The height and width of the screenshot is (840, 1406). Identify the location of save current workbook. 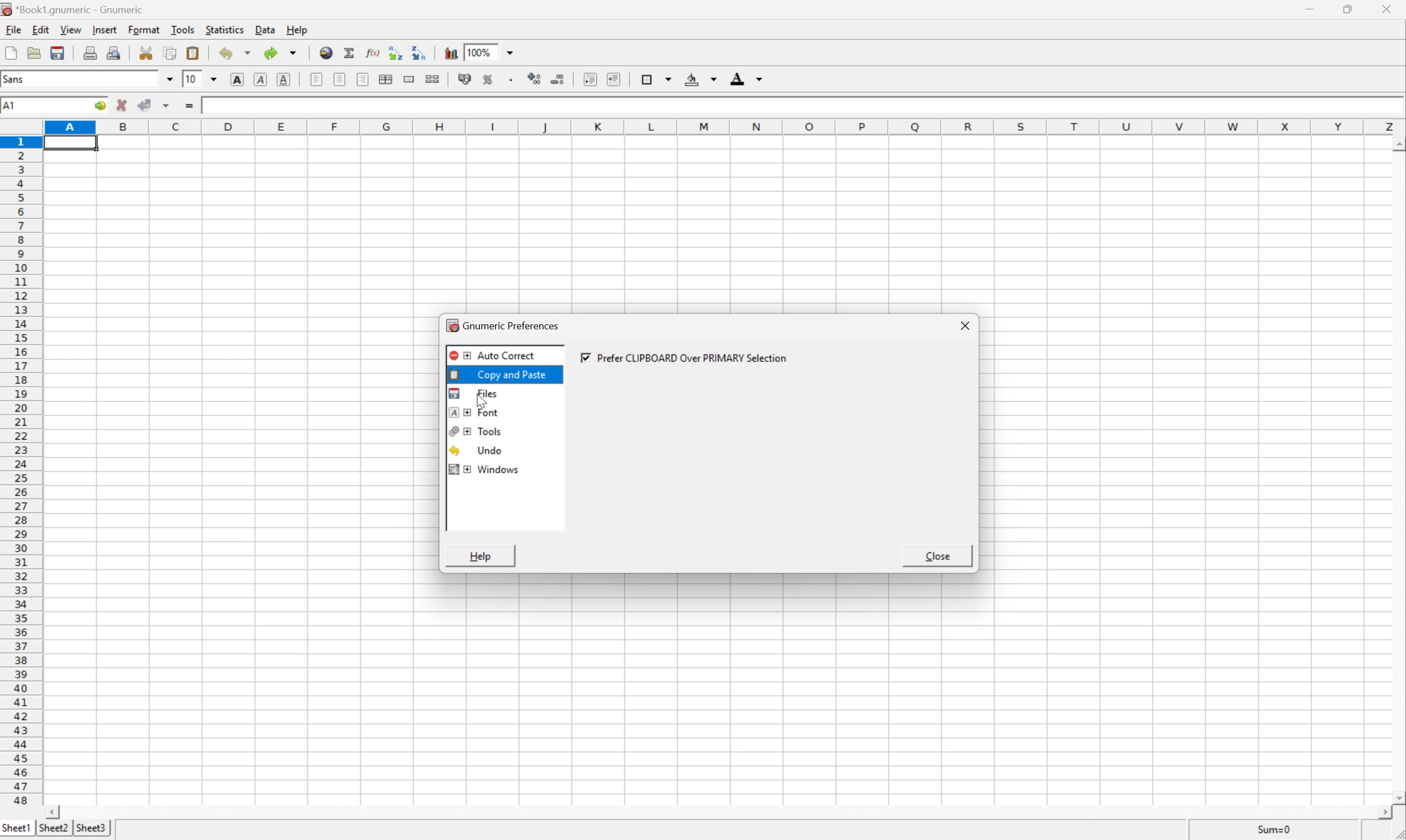
(59, 53).